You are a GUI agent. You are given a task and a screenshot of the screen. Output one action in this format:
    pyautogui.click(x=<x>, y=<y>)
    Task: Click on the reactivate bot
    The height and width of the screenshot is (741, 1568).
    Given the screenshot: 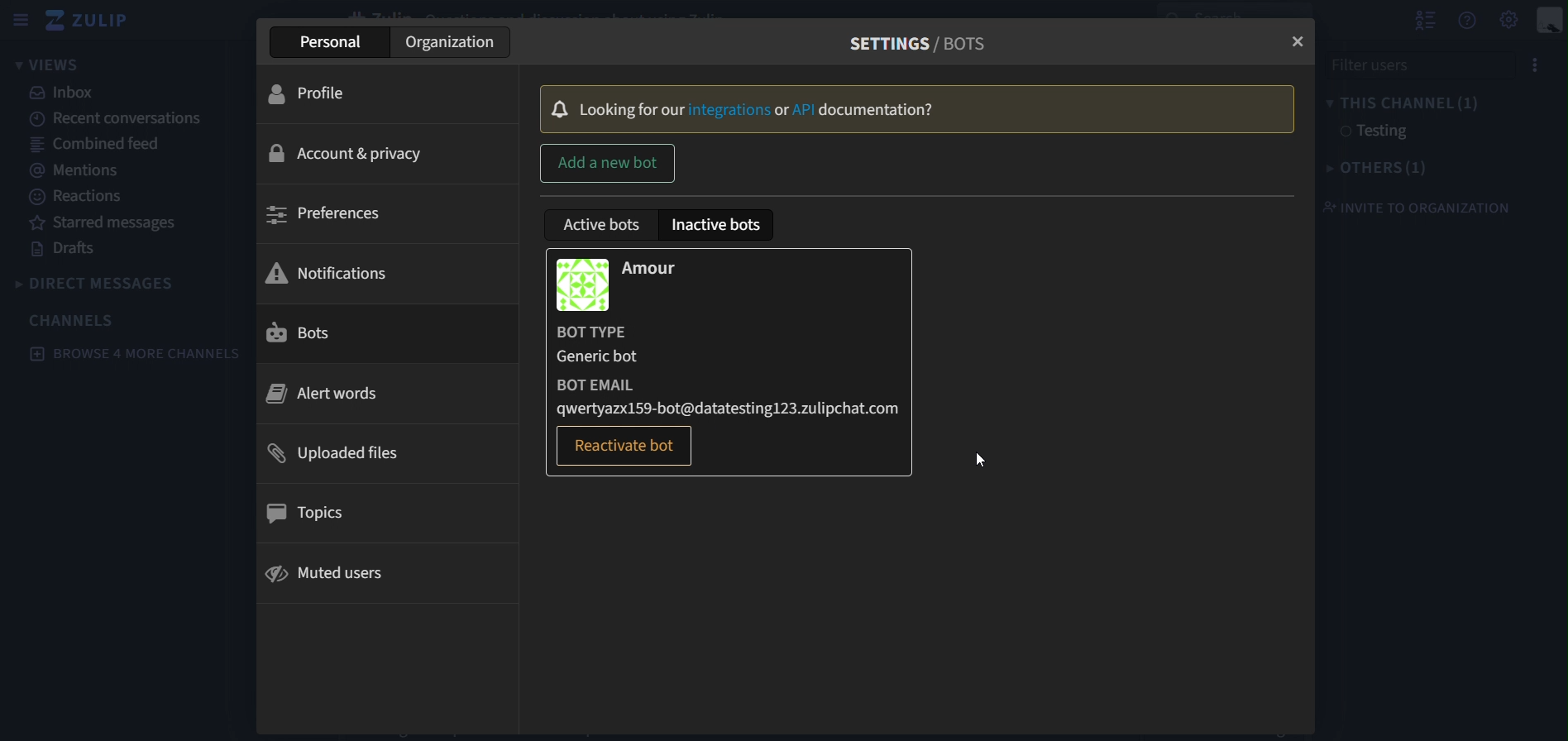 What is the action you would take?
    pyautogui.click(x=628, y=446)
    